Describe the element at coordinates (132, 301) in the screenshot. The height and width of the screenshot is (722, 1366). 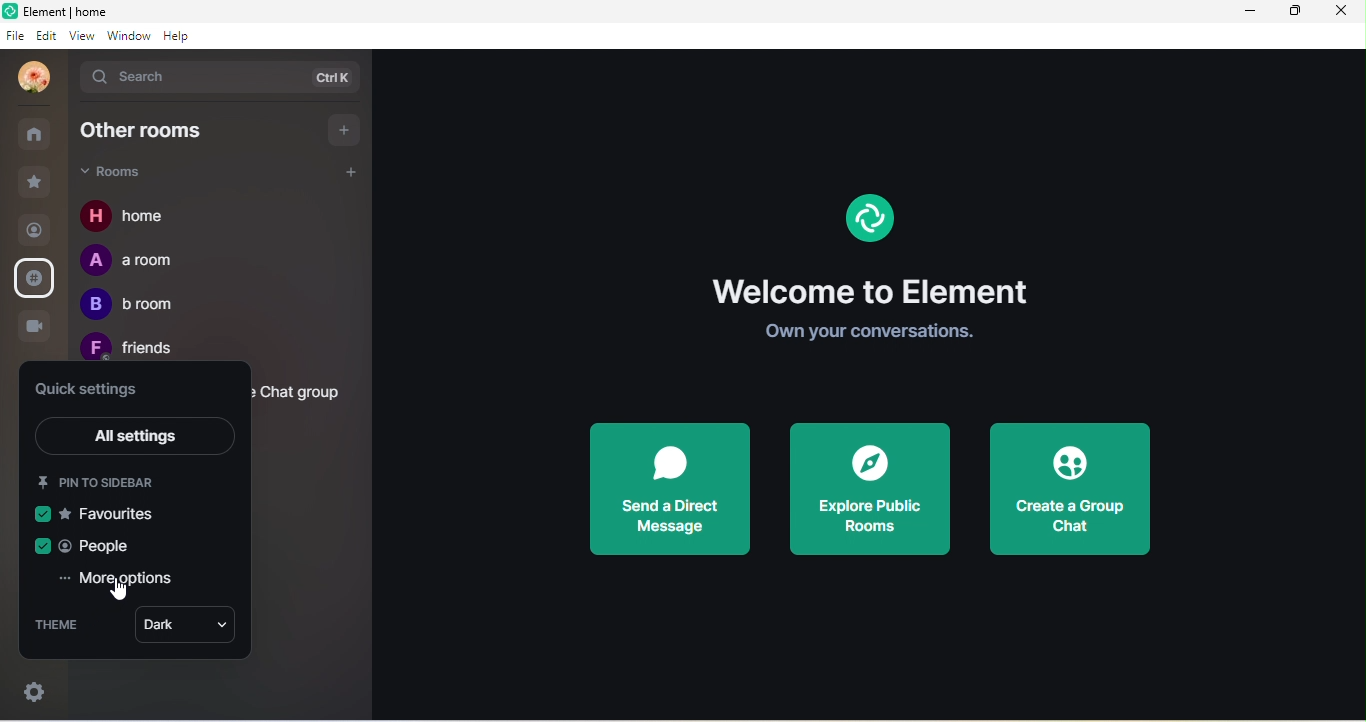
I see `b room` at that location.